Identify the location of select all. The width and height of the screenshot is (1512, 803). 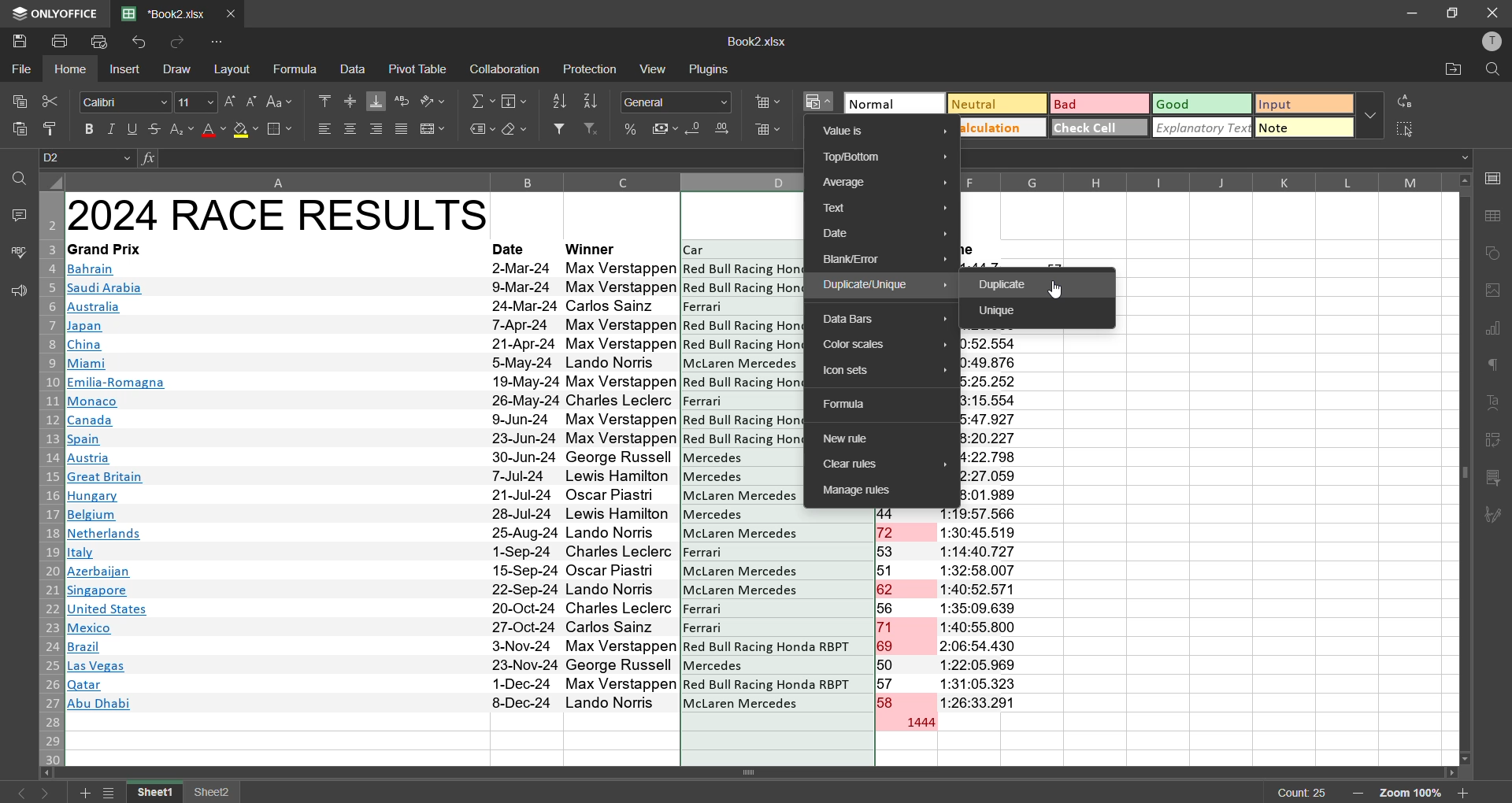
(1406, 128).